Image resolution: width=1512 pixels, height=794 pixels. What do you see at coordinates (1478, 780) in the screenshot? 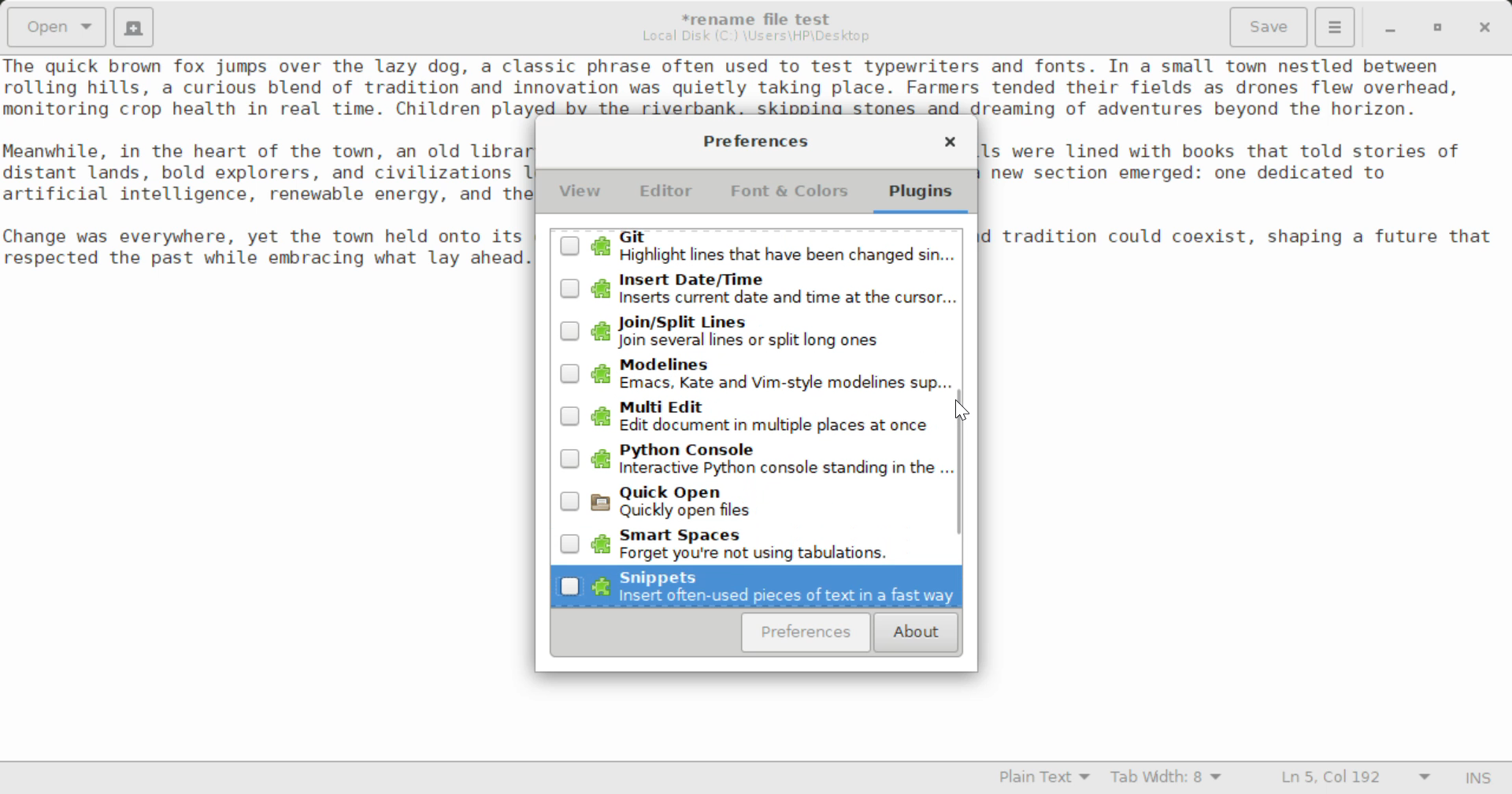
I see `Input Mode` at bounding box center [1478, 780].